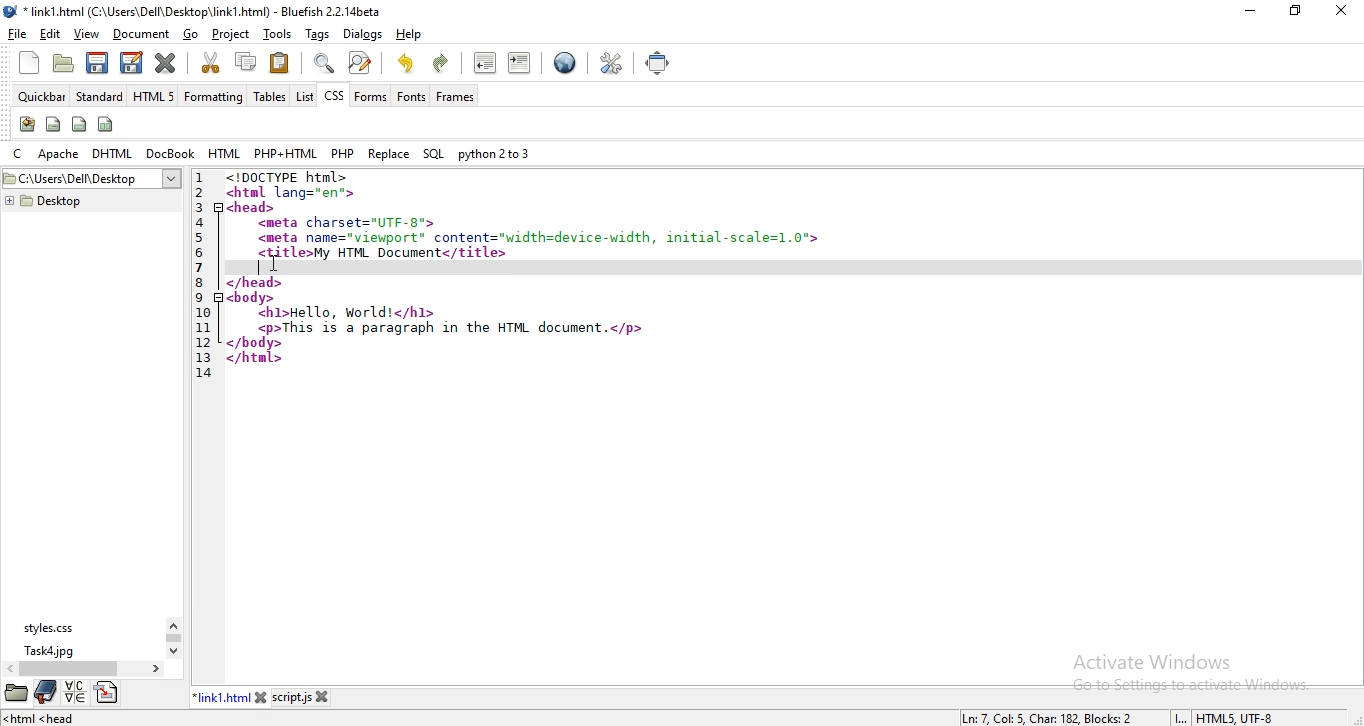 Image resolution: width=1364 pixels, height=726 pixels. What do you see at coordinates (38, 717) in the screenshot?
I see `<html<head` at bounding box center [38, 717].